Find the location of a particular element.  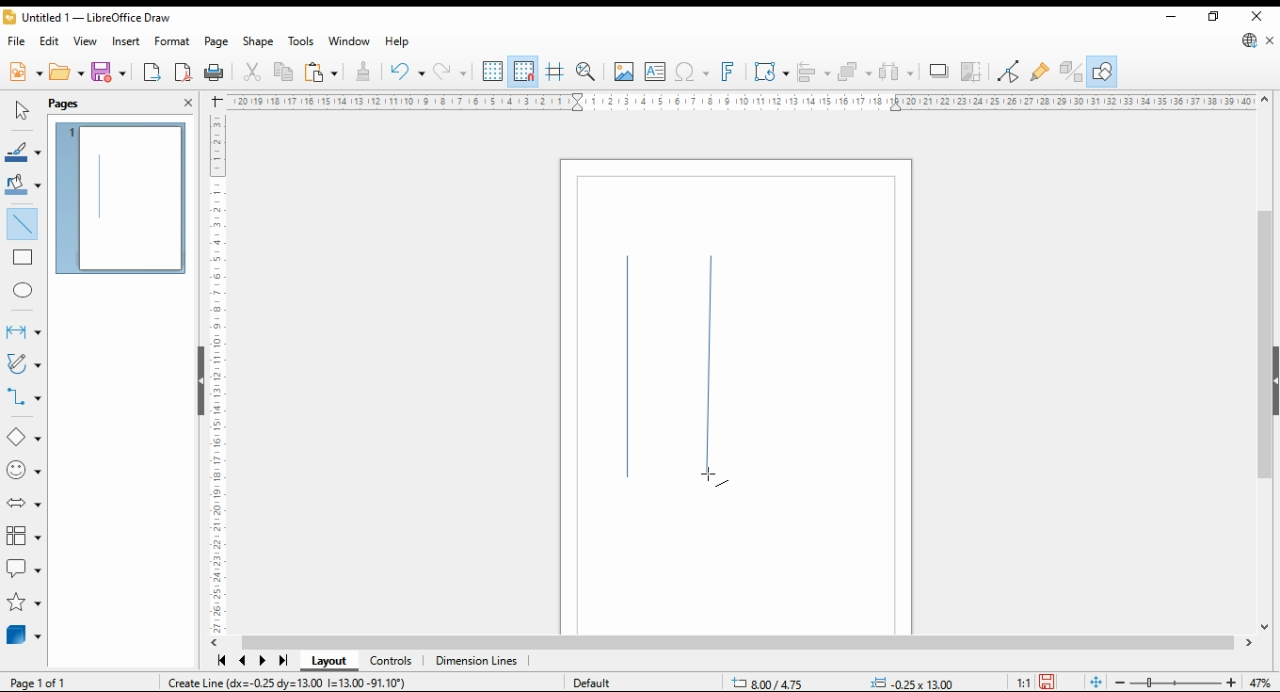

ellipse is located at coordinates (23, 288).